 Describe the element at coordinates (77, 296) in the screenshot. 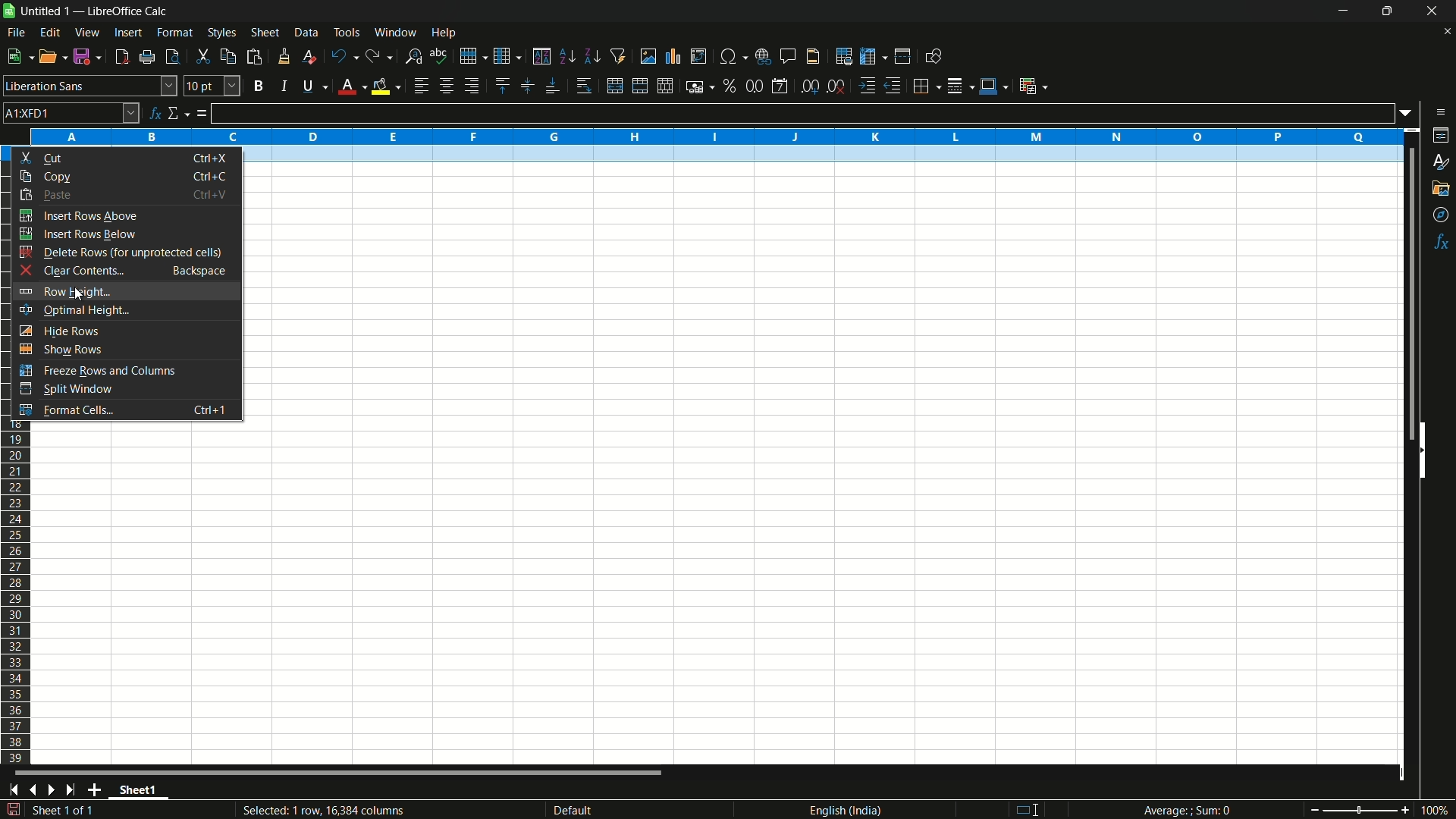

I see `cursor` at that location.